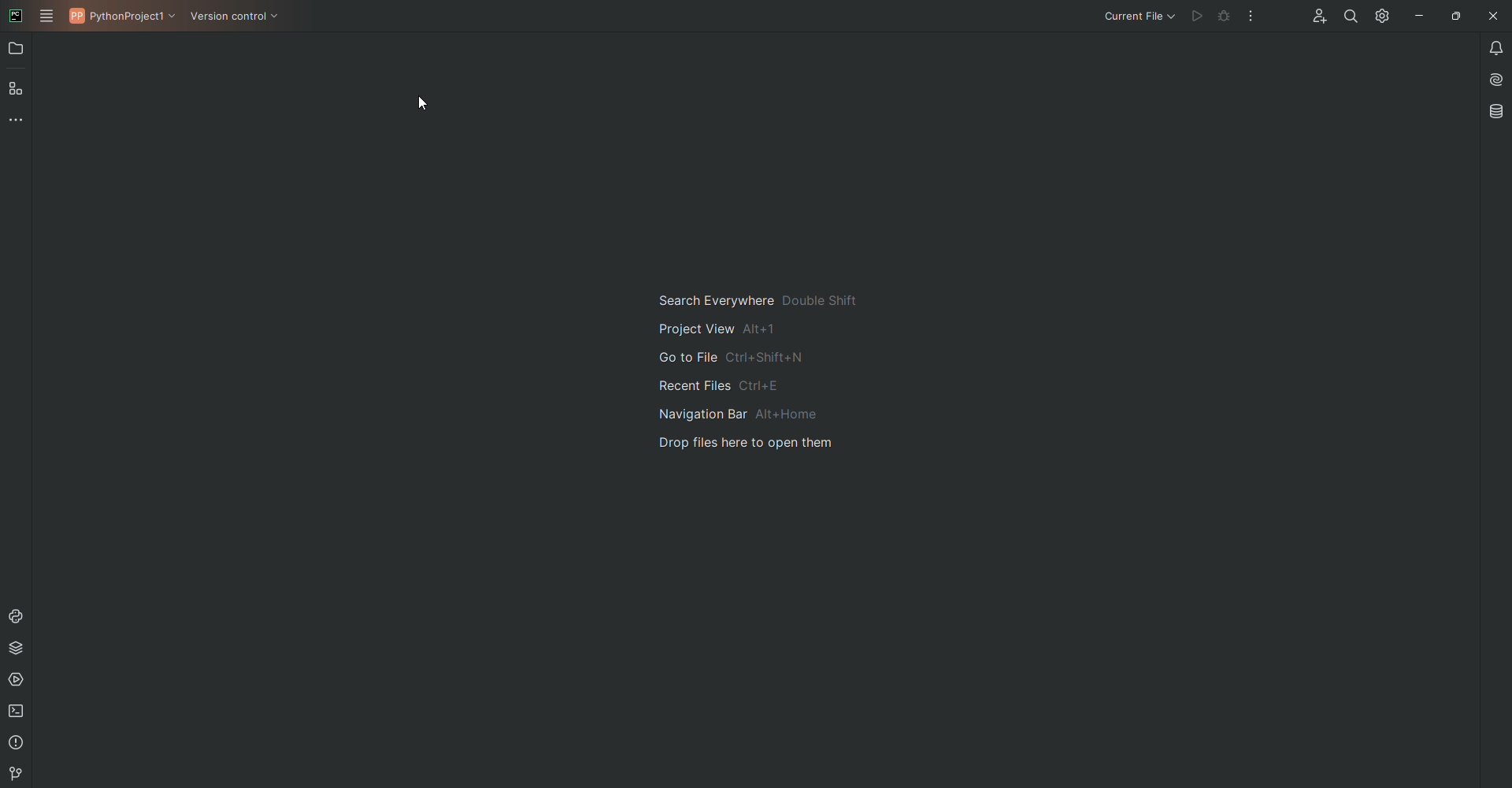 This screenshot has height=788, width=1512. Describe the element at coordinates (769, 372) in the screenshot. I see `Navigation` at that location.